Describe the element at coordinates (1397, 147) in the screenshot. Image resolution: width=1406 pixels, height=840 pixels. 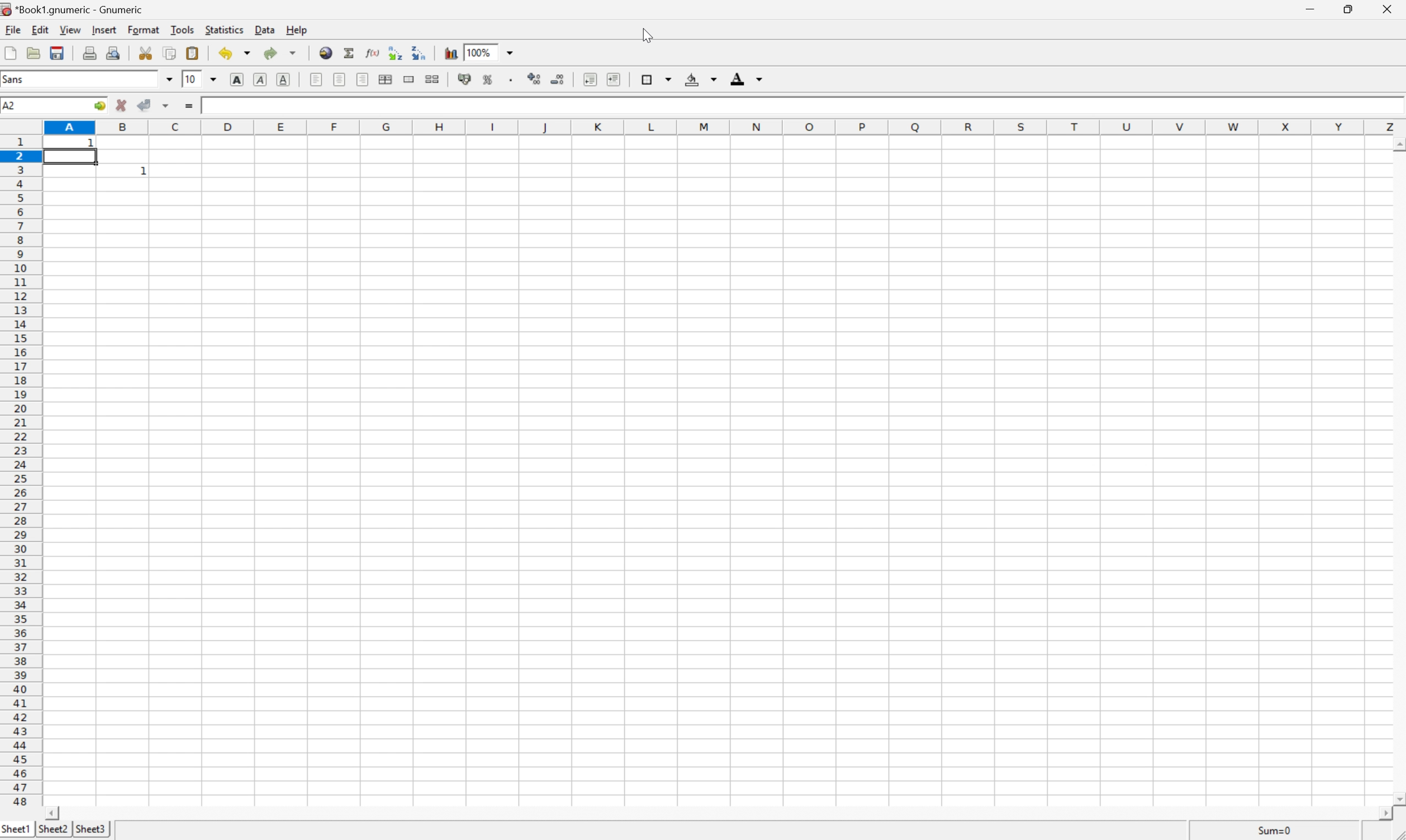
I see `scroll up` at that location.